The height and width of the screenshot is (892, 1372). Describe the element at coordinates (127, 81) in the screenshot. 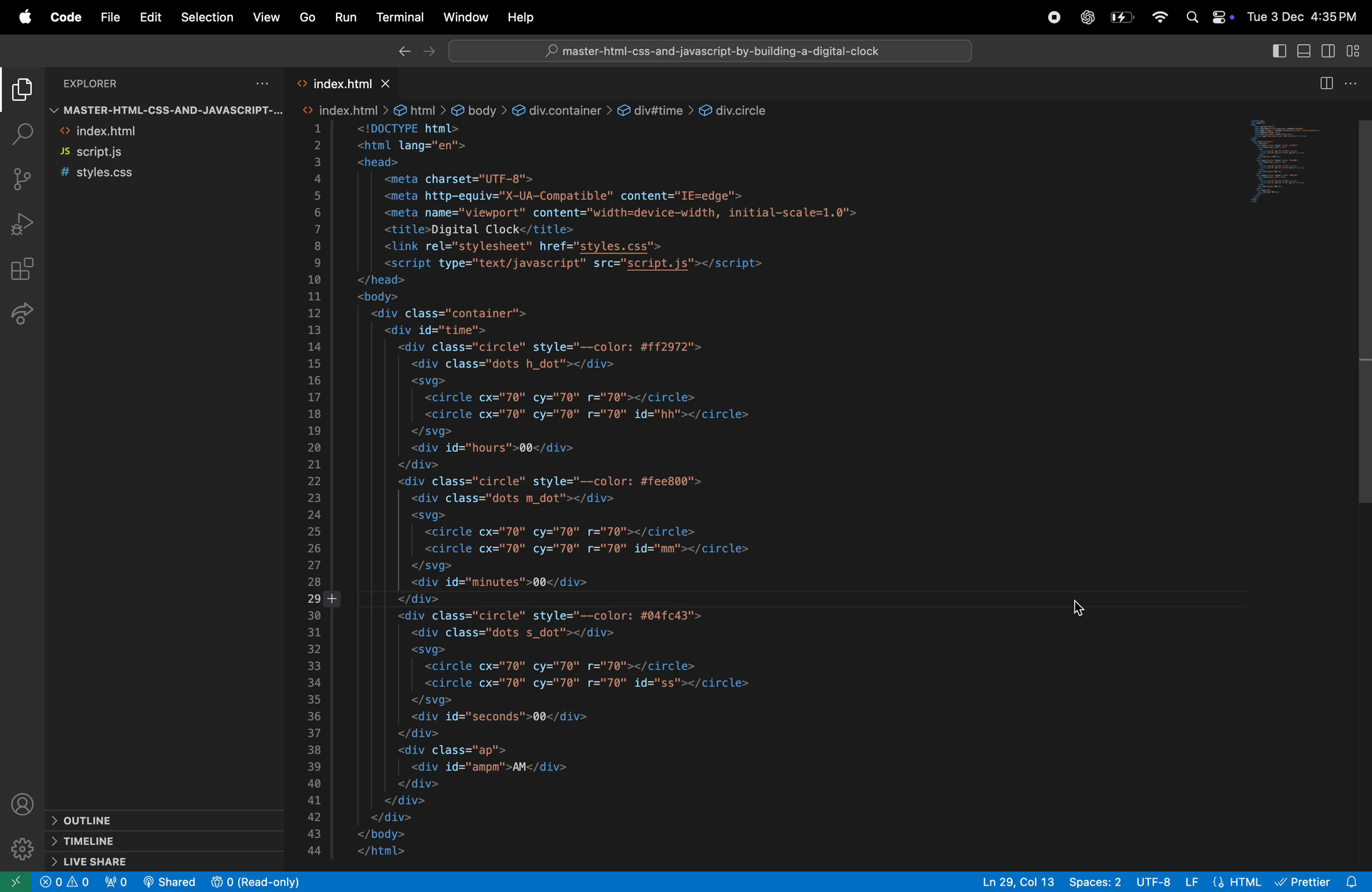

I see `explorer` at that location.